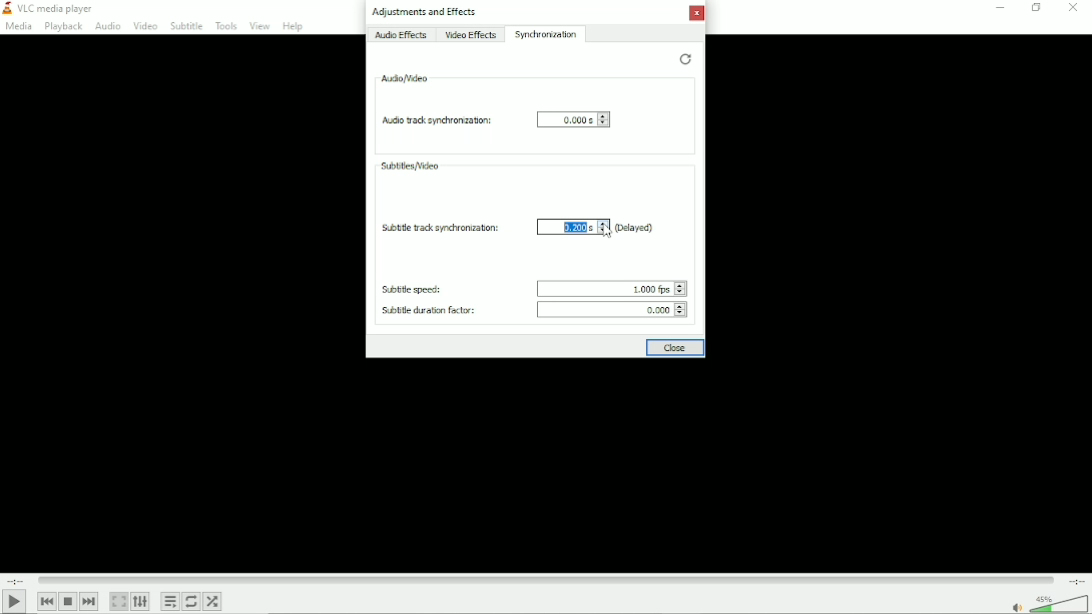 The image size is (1092, 614). What do you see at coordinates (607, 286) in the screenshot?
I see `1.000 fps` at bounding box center [607, 286].